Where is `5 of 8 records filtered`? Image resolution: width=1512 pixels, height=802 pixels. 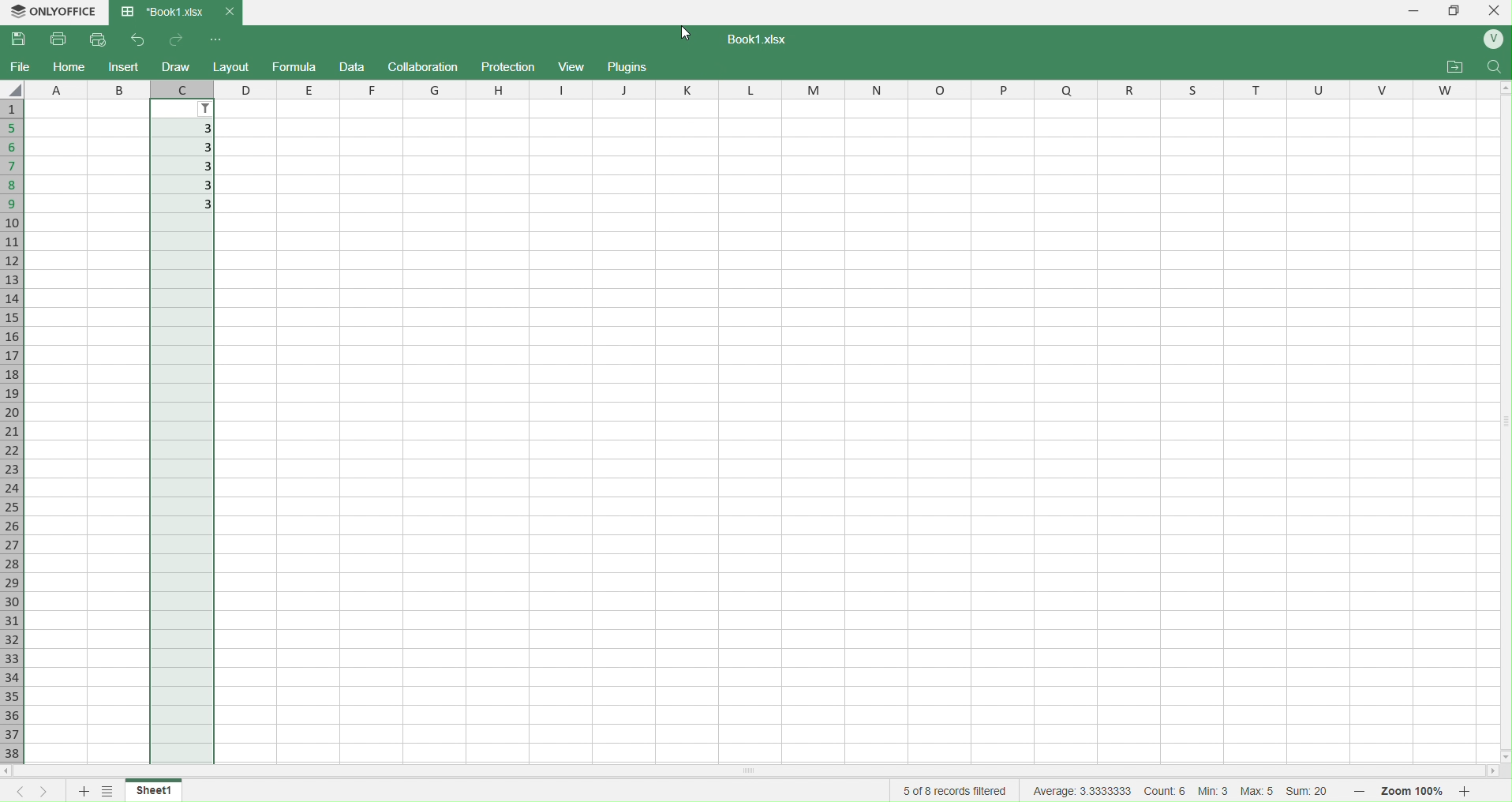
5 of 8 records filtered is located at coordinates (956, 792).